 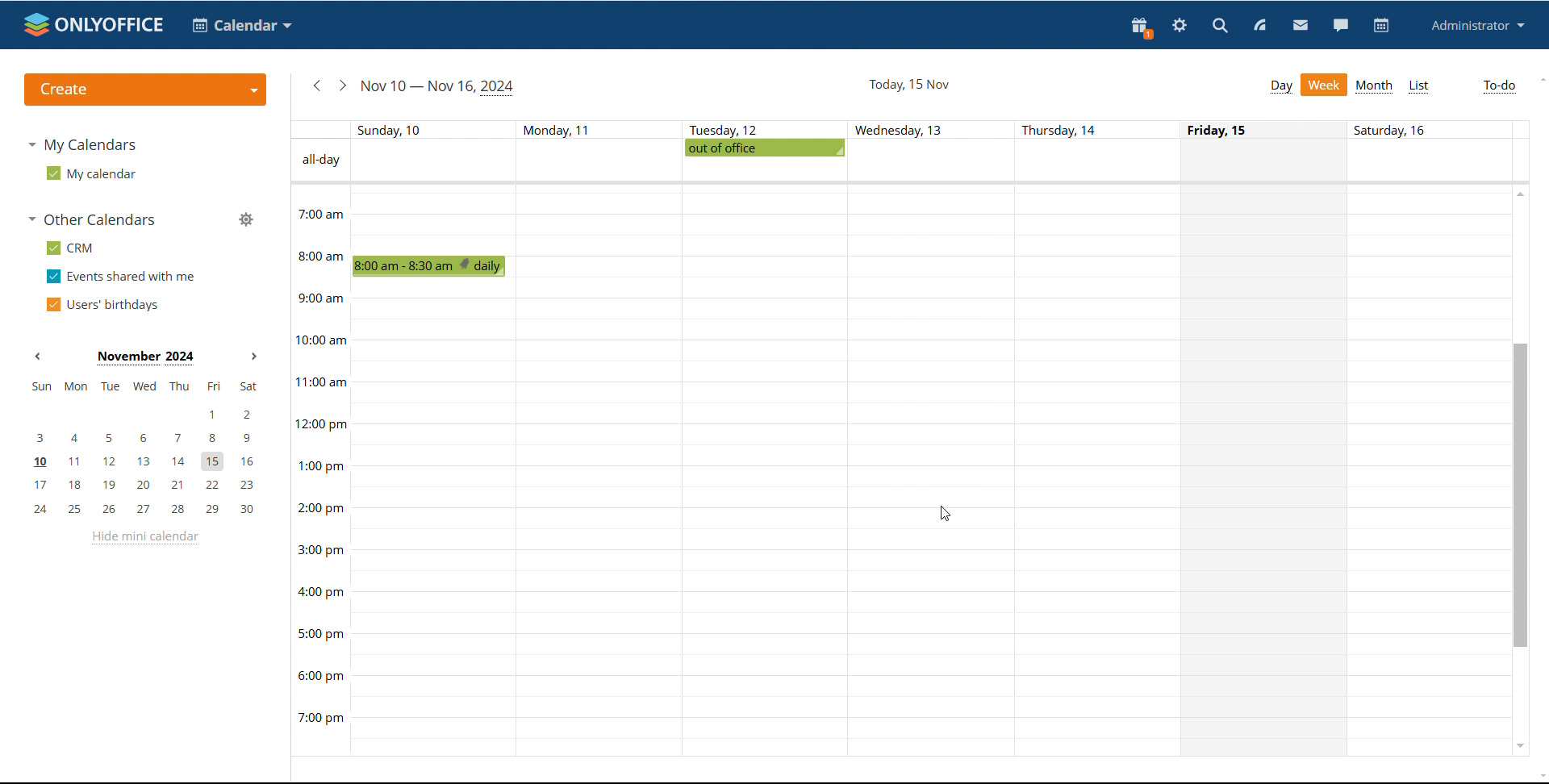 What do you see at coordinates (150, 485) in the screenshot?
I see `17, 18, 19, 20, 21, 22, 23` at bounding box center [150, 485].